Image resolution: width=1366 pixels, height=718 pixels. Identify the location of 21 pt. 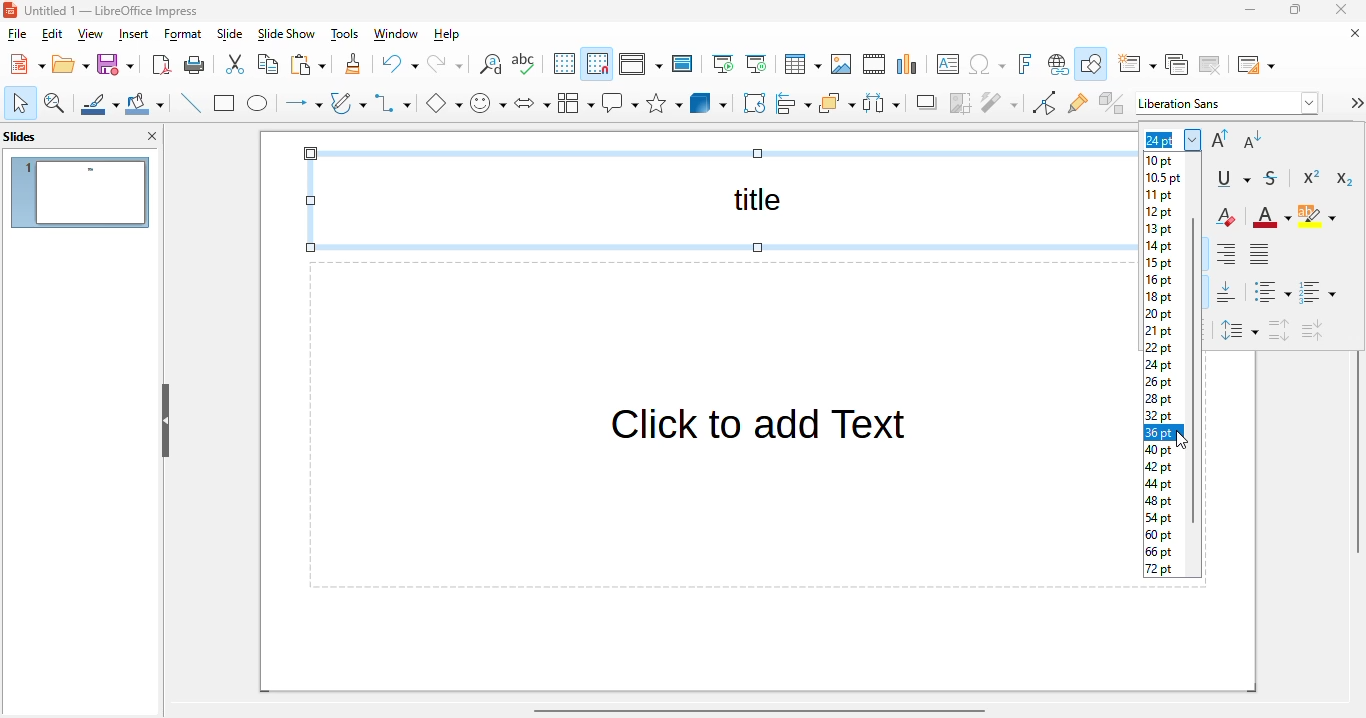
(1159, 331).